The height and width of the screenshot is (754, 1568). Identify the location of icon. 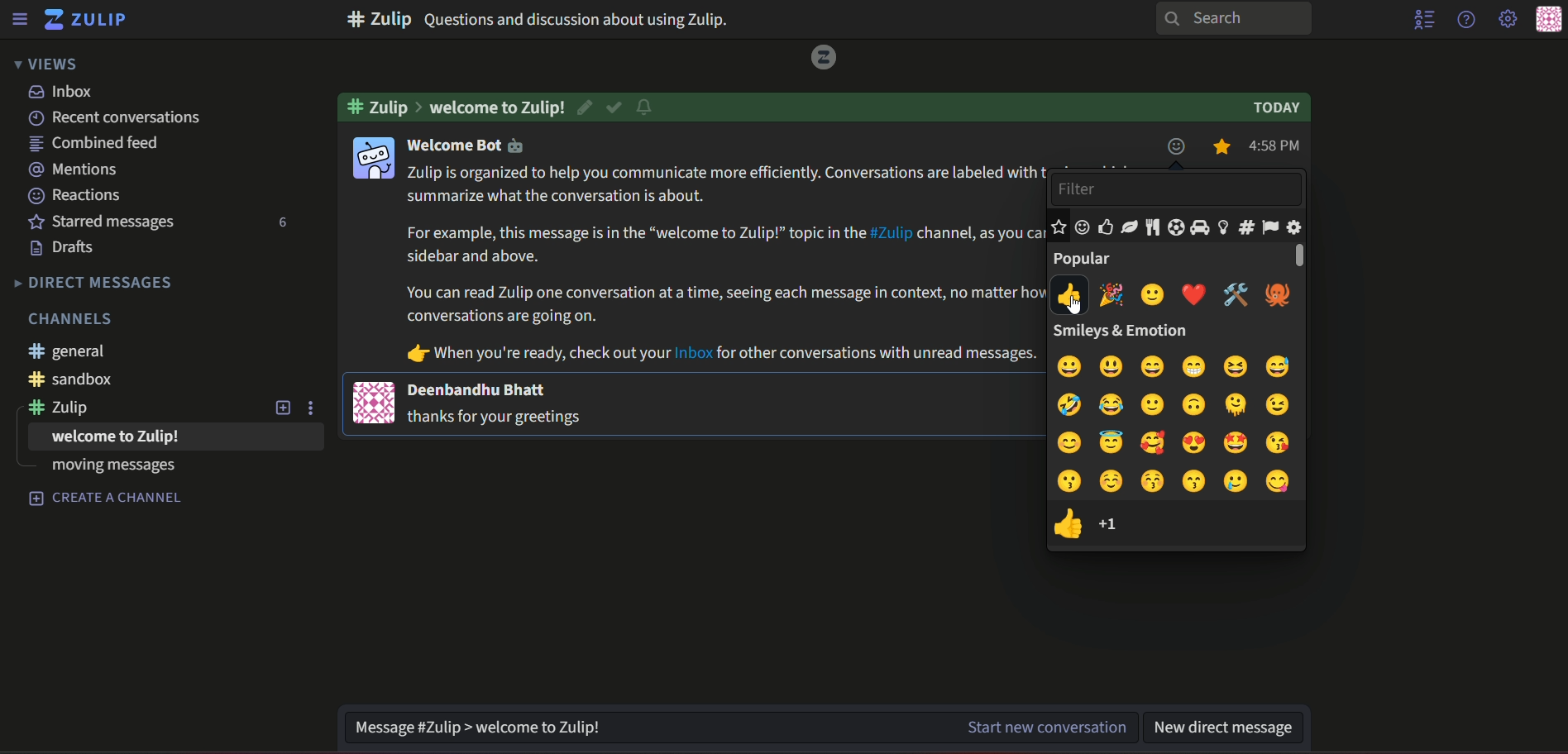
(375, 402).